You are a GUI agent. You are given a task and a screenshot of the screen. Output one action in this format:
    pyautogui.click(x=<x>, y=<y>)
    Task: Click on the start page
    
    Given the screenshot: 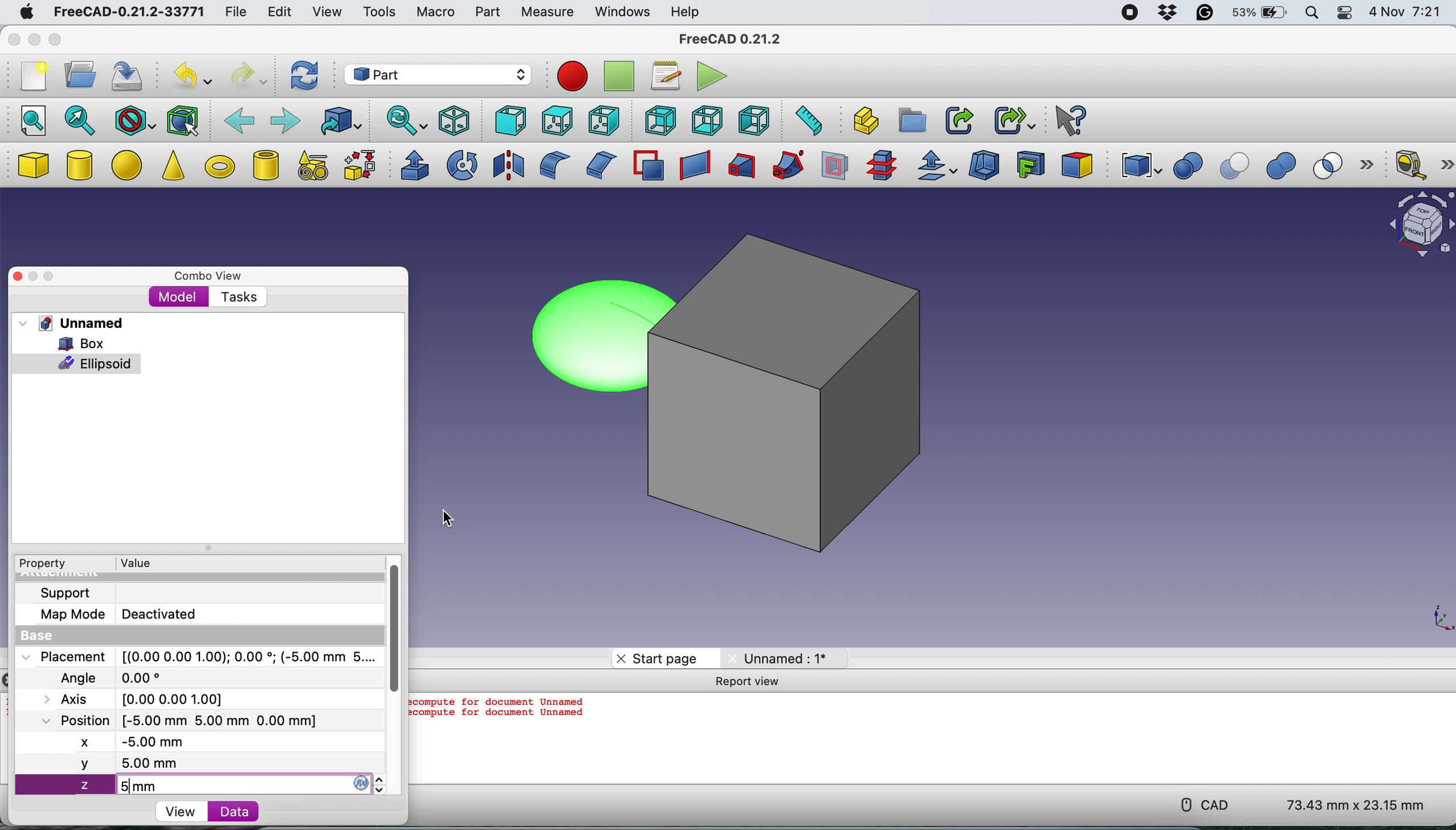 What is the action you would take?
    pyautogui.click(x=657, y=658)
    